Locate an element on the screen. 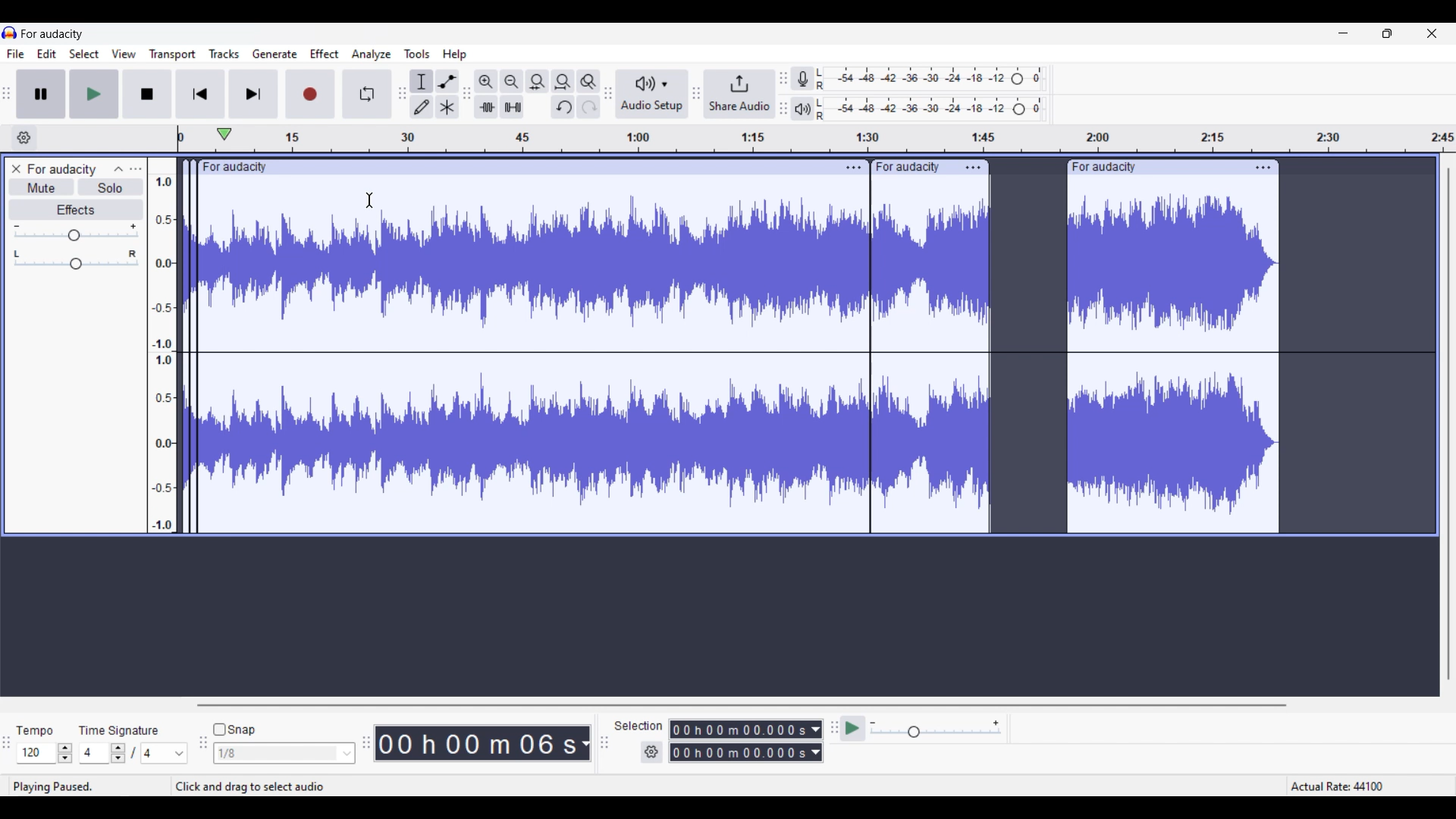  Enable looping is located at coordinates (369, 93).